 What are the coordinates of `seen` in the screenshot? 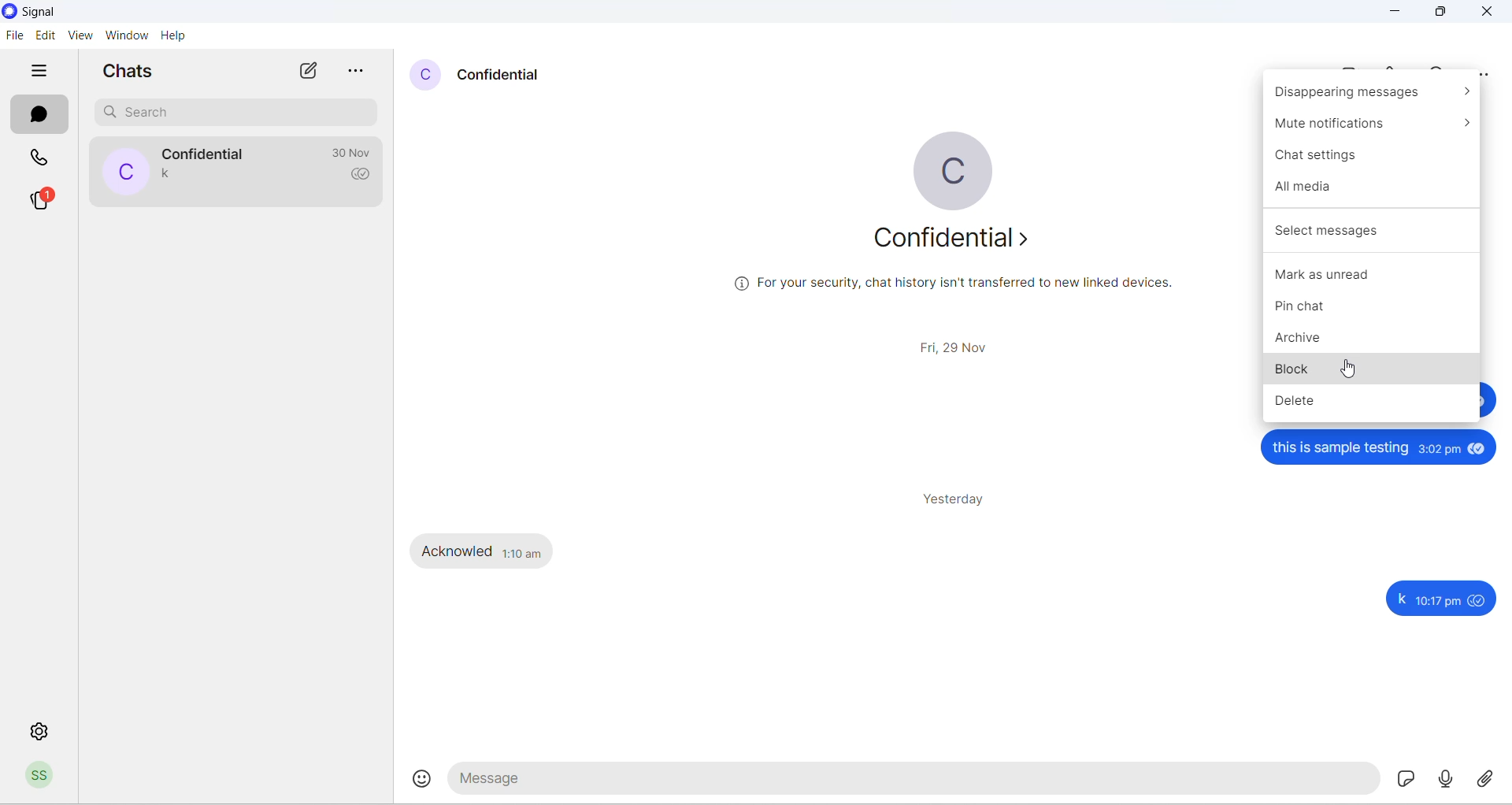 It's located at (1480, 448).